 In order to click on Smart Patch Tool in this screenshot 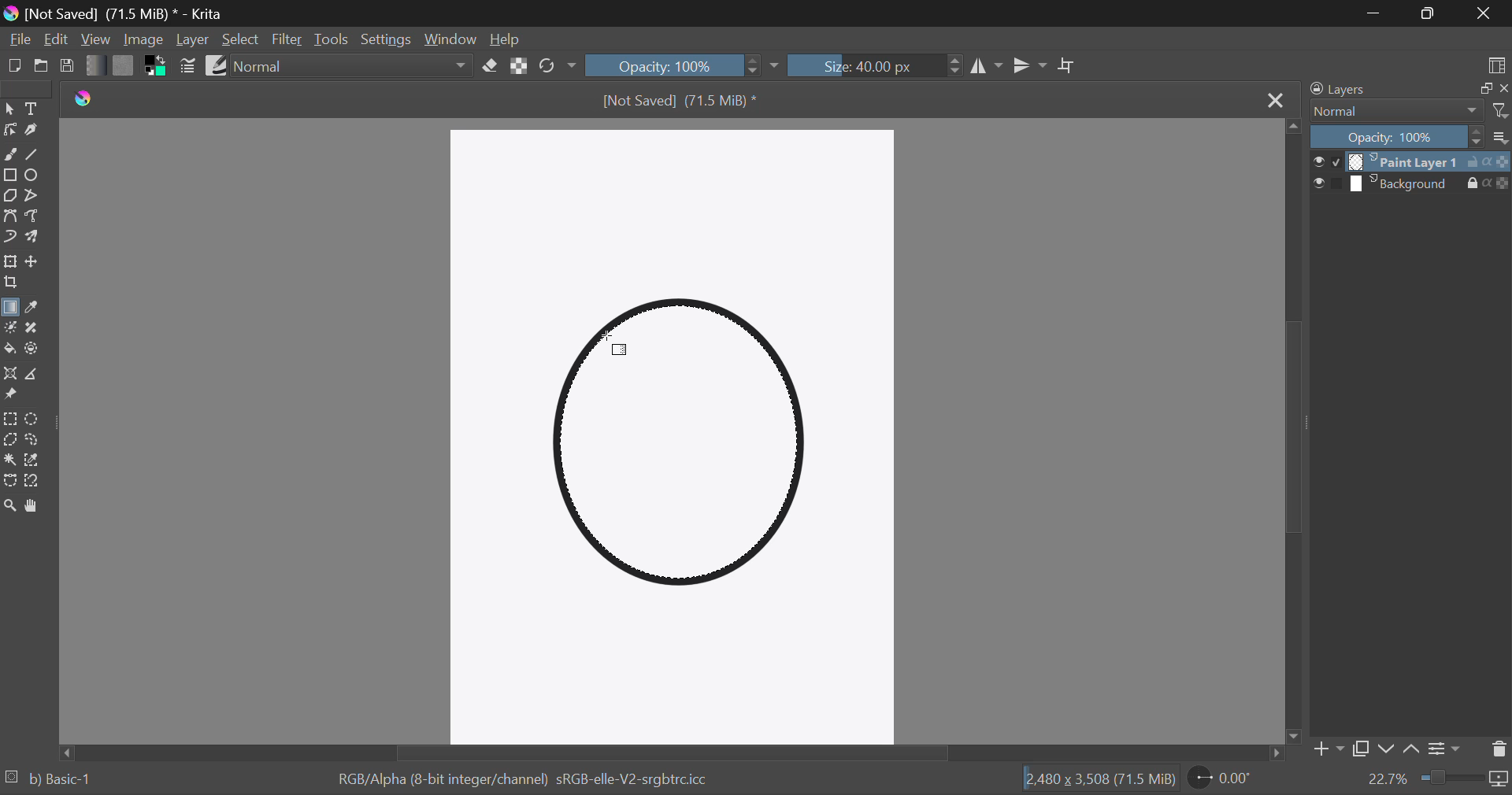, I will do `click(35, 329)`.